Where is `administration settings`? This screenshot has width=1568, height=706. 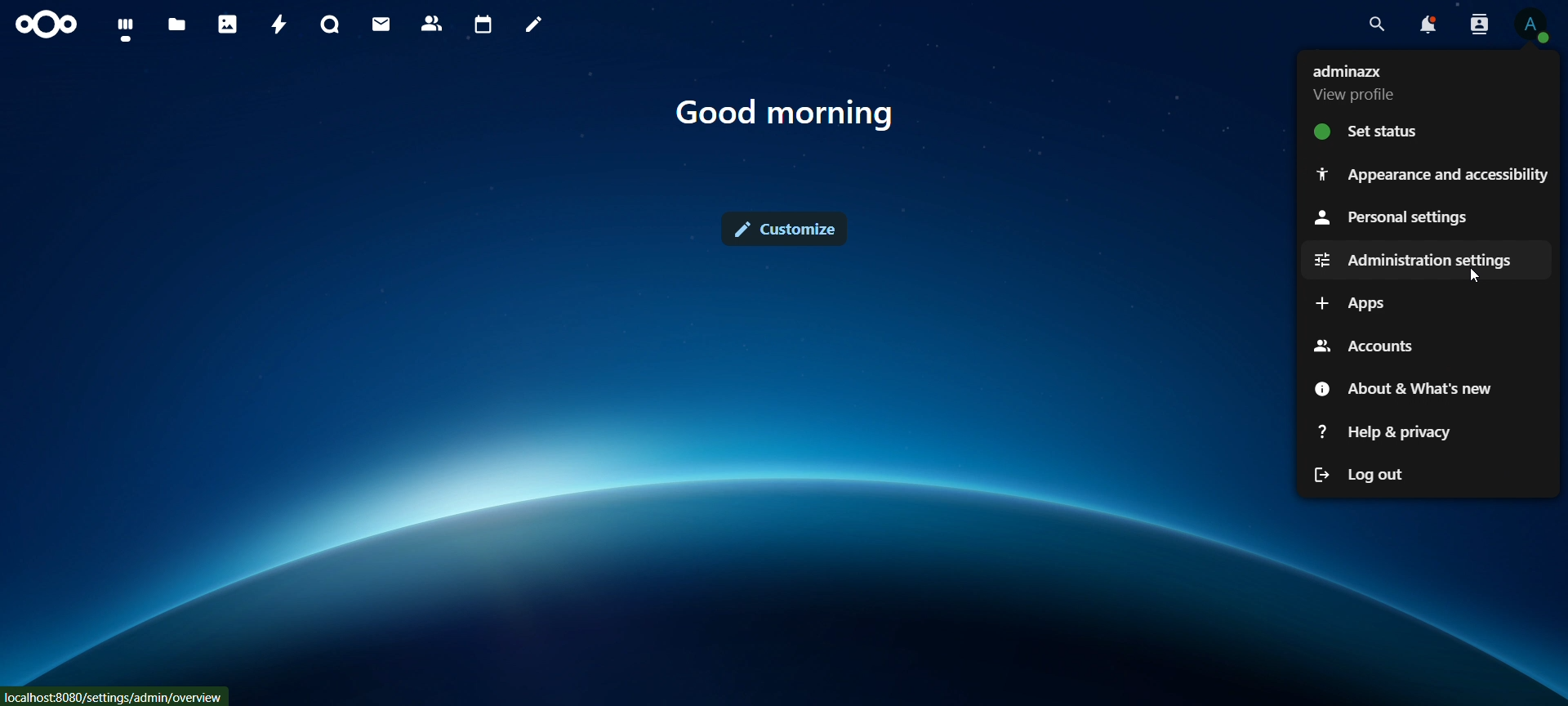 administration settings is located at coordinates (1413, 261).